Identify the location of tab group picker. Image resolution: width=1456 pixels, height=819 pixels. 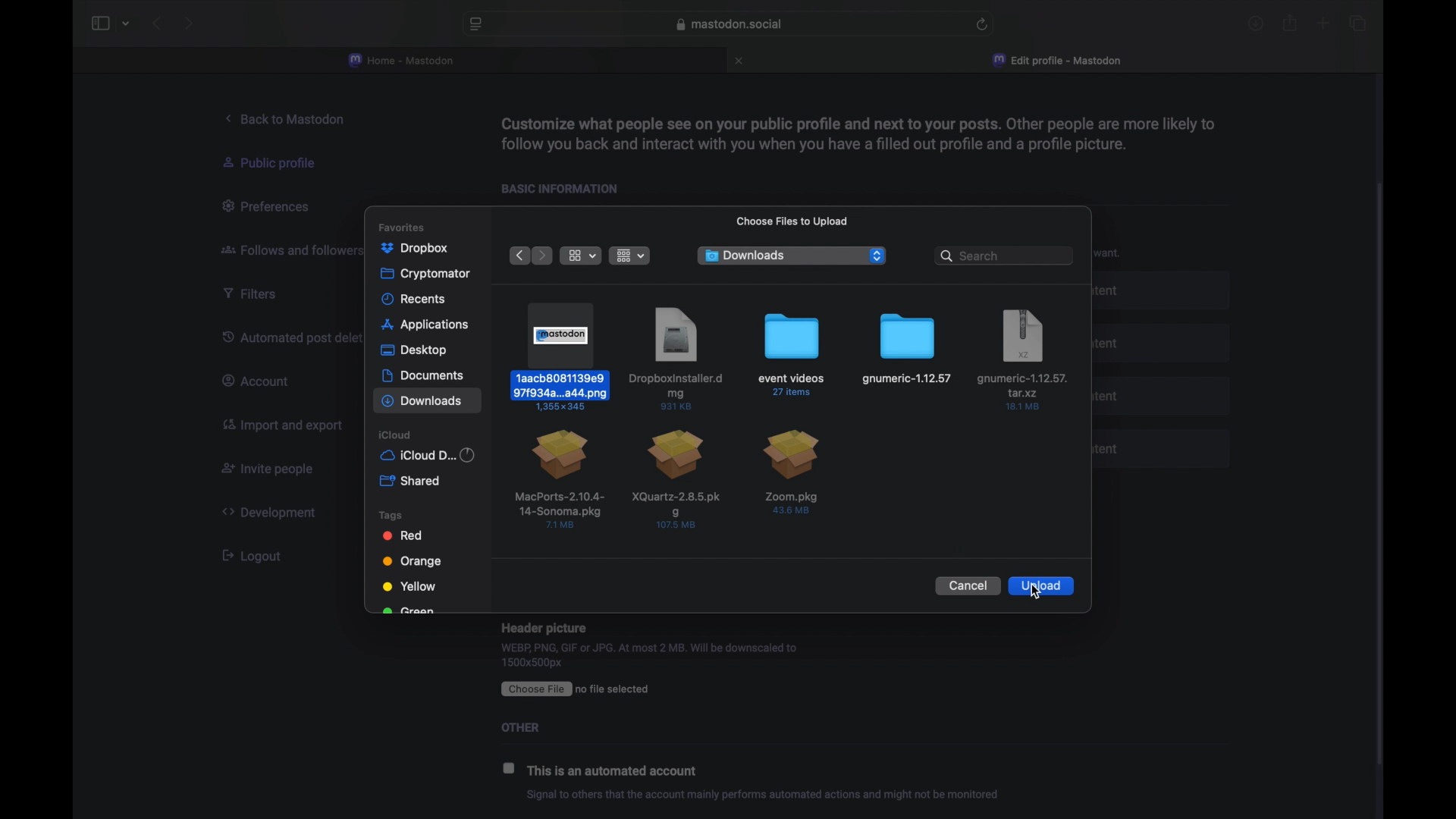
(126, 24).